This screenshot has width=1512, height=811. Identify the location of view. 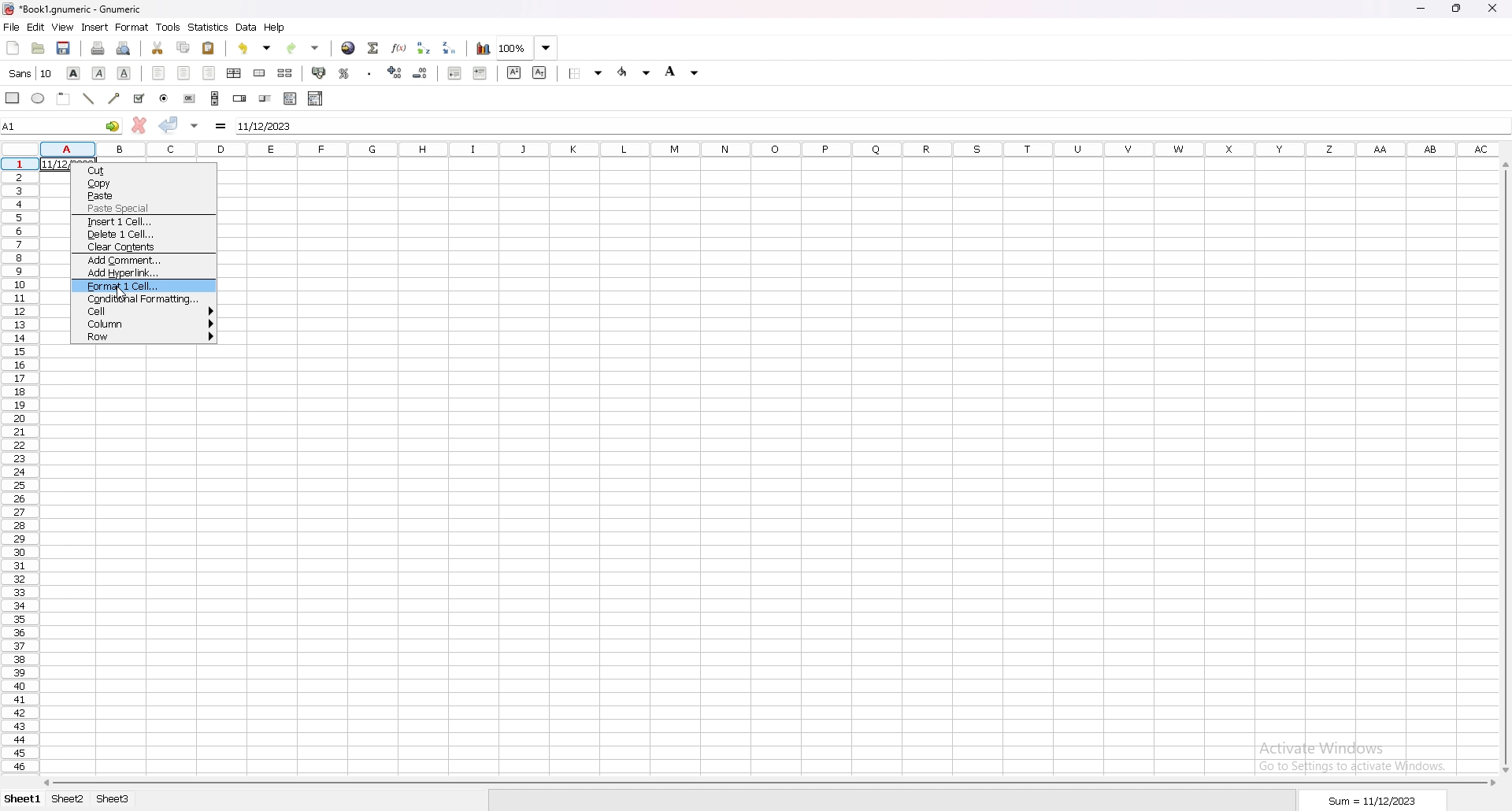
(61, 28).